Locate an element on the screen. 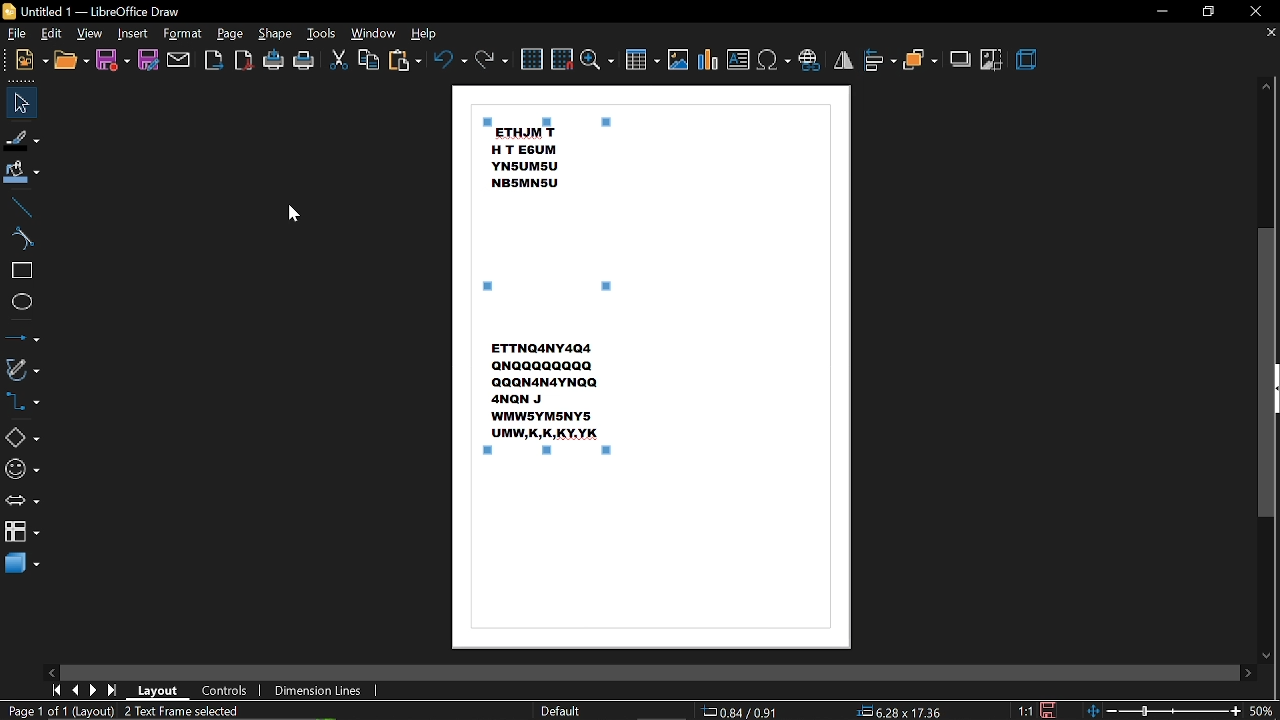 Image resolution: width=1280 pixels, height=720 pixels. symbol shapes is located at coordinates (22, 469).